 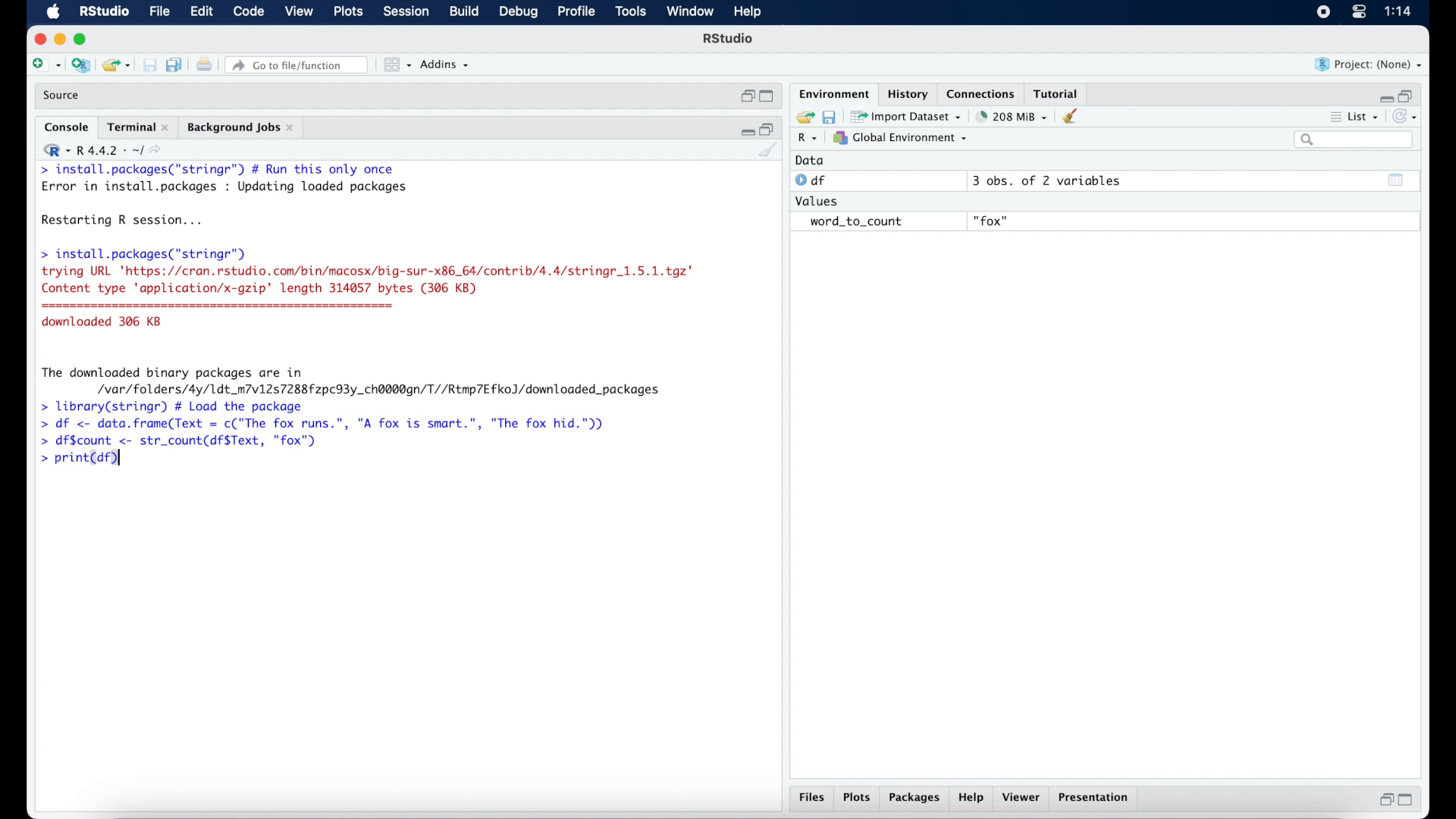 I want to click on R 4.4.2, so click(x=102, y=150).